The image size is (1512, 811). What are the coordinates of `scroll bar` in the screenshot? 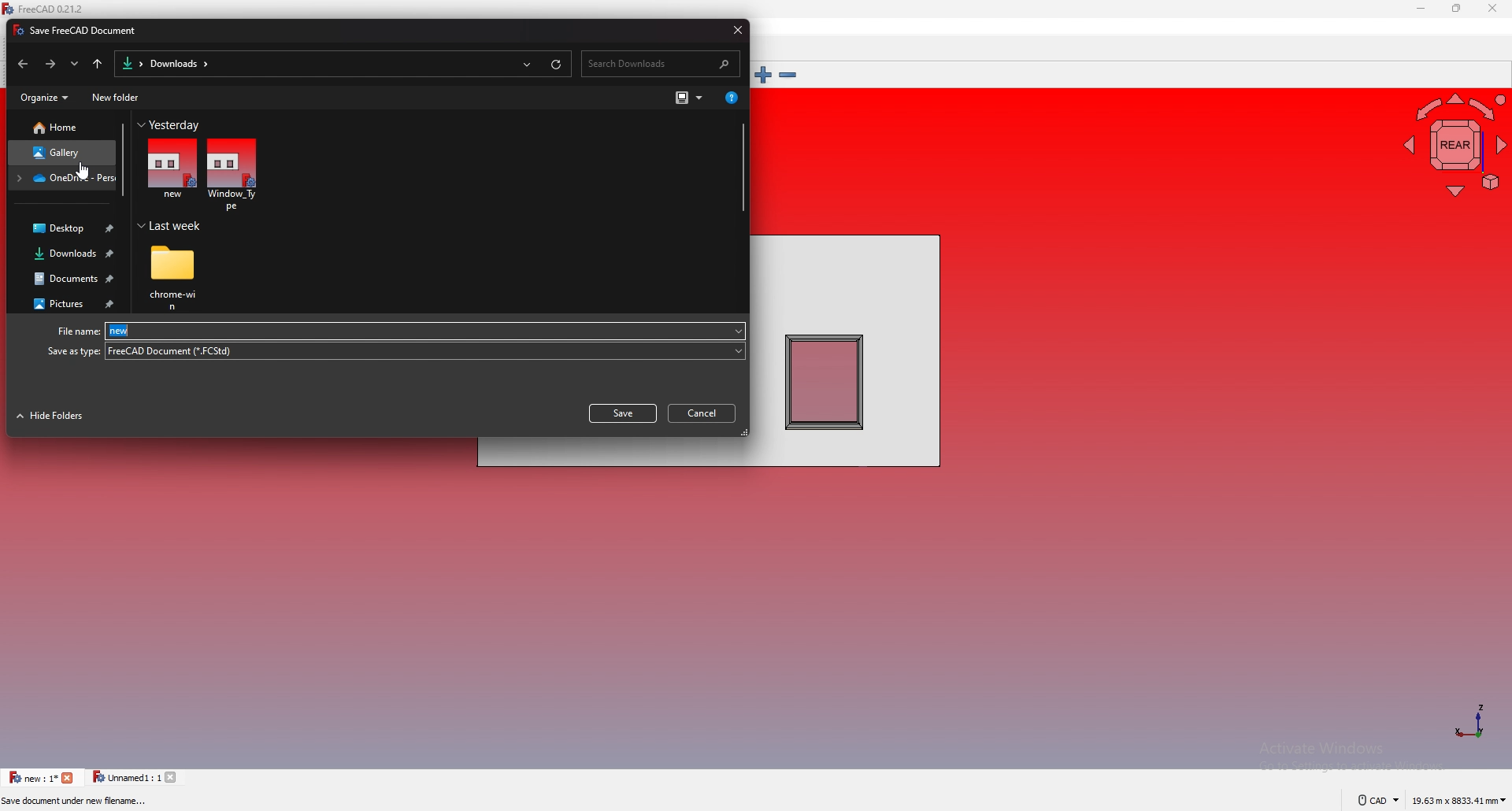 It's located at (127, 159).